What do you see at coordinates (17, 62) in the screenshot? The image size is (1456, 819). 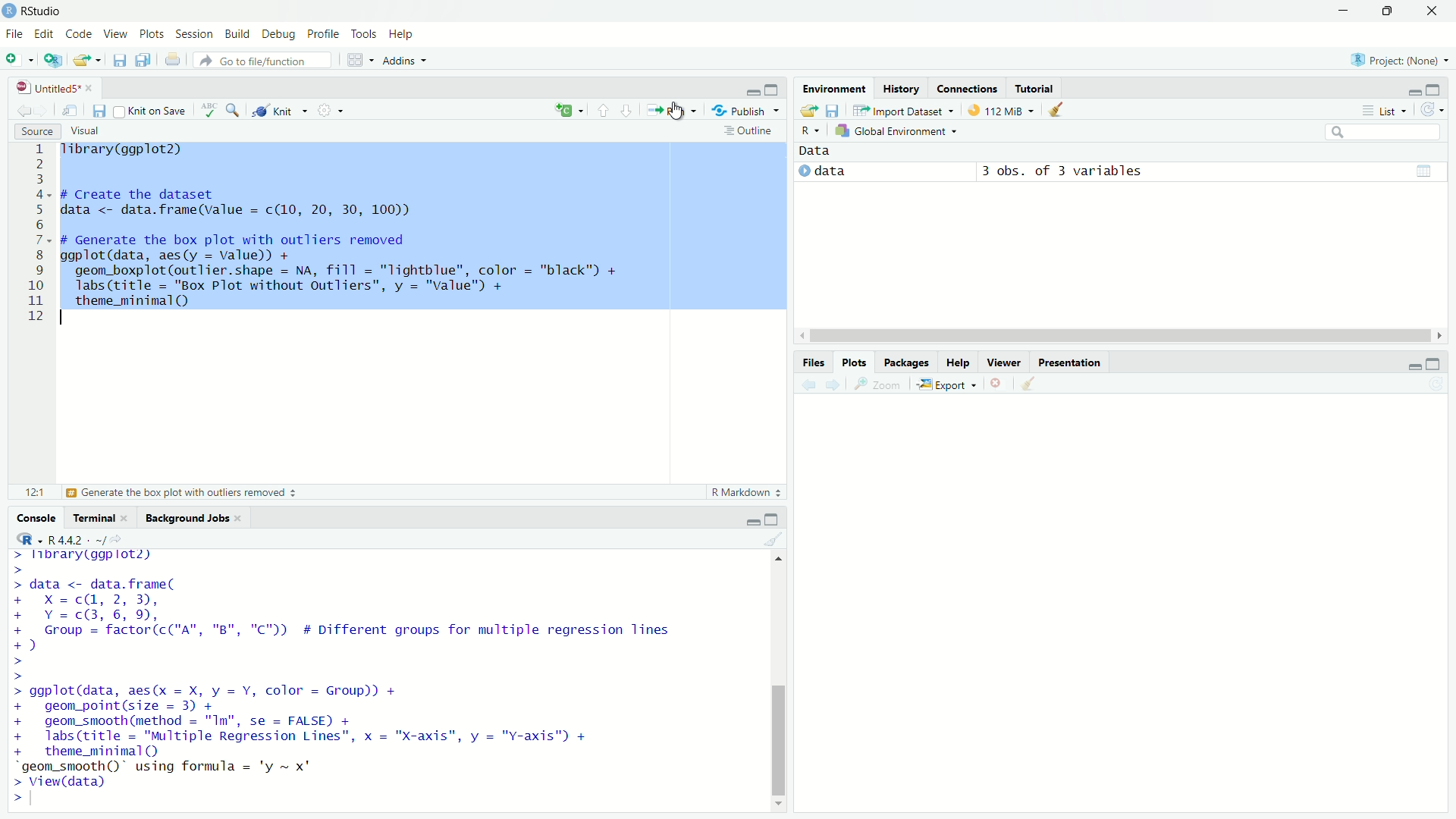 I see `add` at bounding box center [17, 62].